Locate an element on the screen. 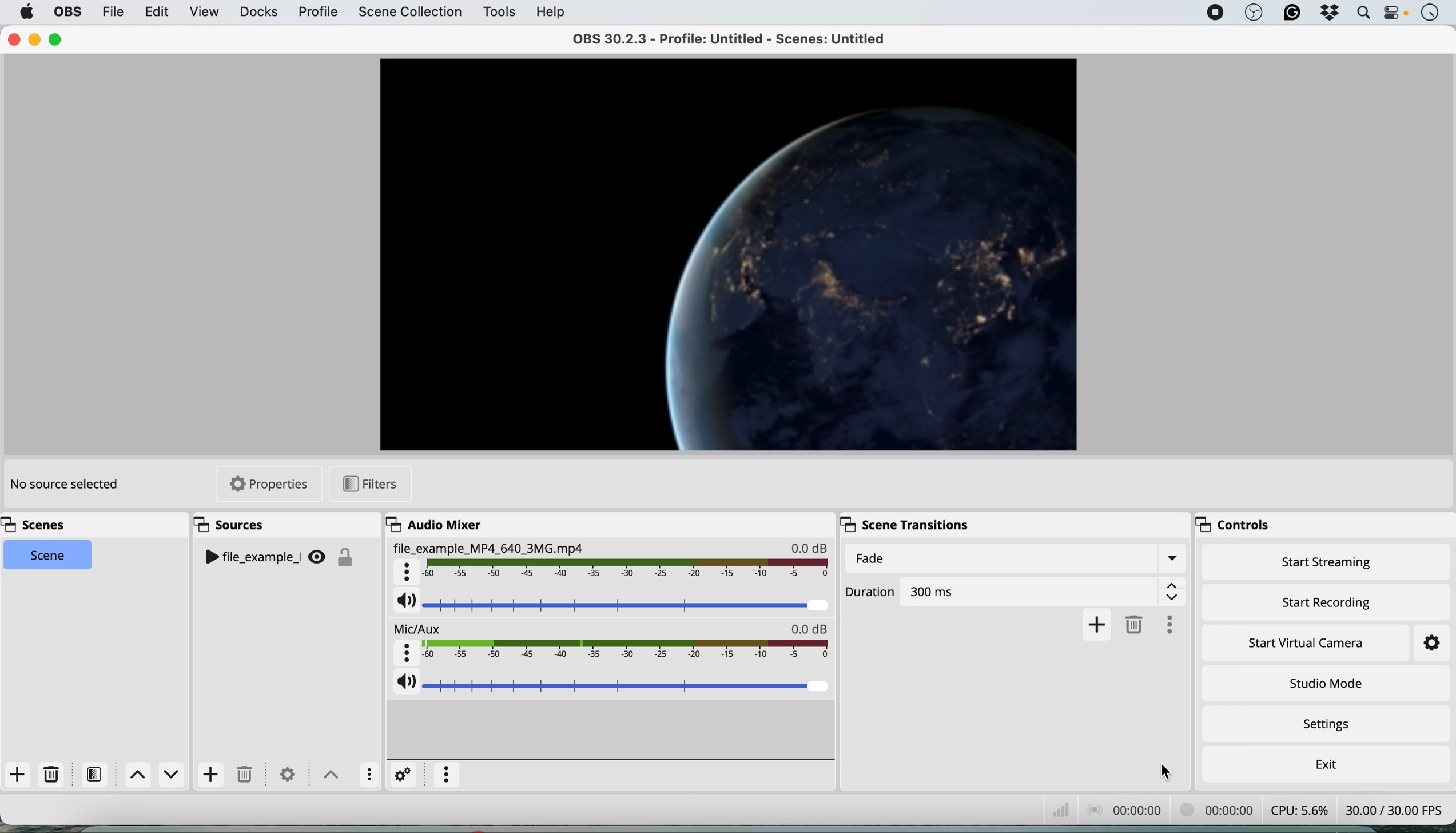 This screenshot has height=833, width=1456. more options is located at coordinates (1176, 622).